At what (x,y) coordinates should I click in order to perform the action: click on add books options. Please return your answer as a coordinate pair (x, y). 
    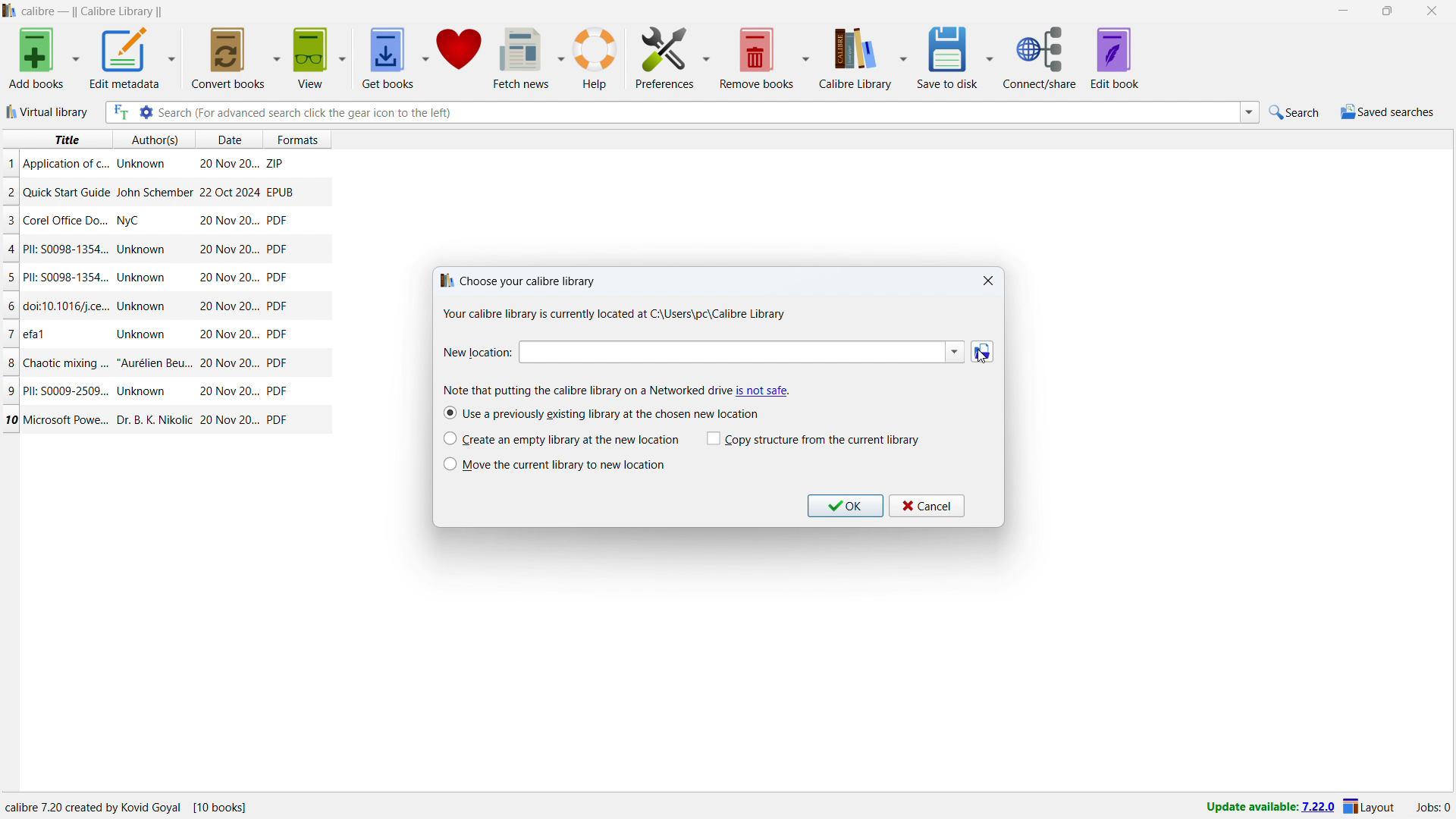
    Looking at the image, I should click on (76, 58).